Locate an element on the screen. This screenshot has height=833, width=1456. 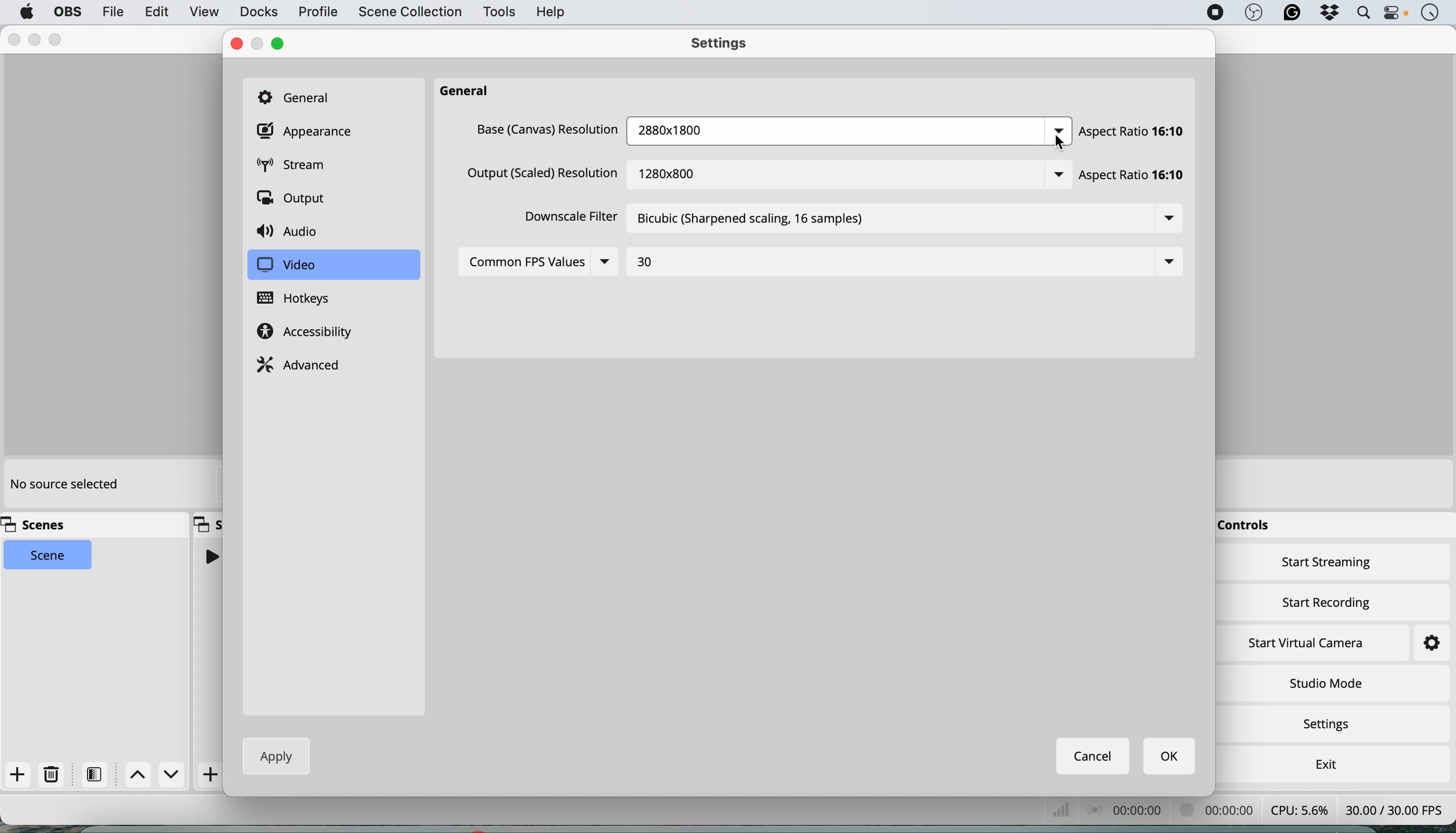
settings is located at coordinates (1331, 725).